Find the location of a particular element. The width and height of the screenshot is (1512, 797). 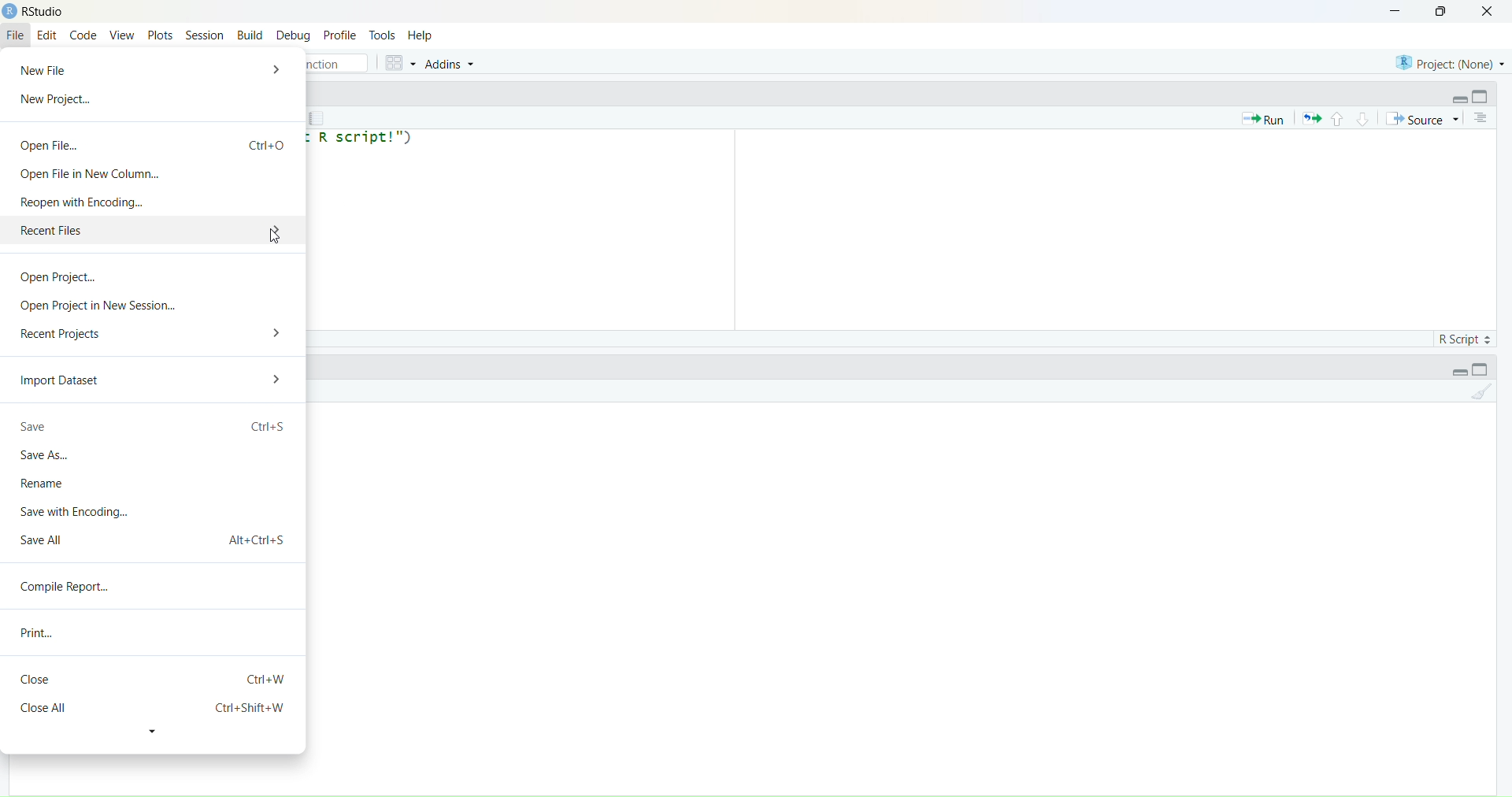

Project (None) is located at coordinates (1447, 61).